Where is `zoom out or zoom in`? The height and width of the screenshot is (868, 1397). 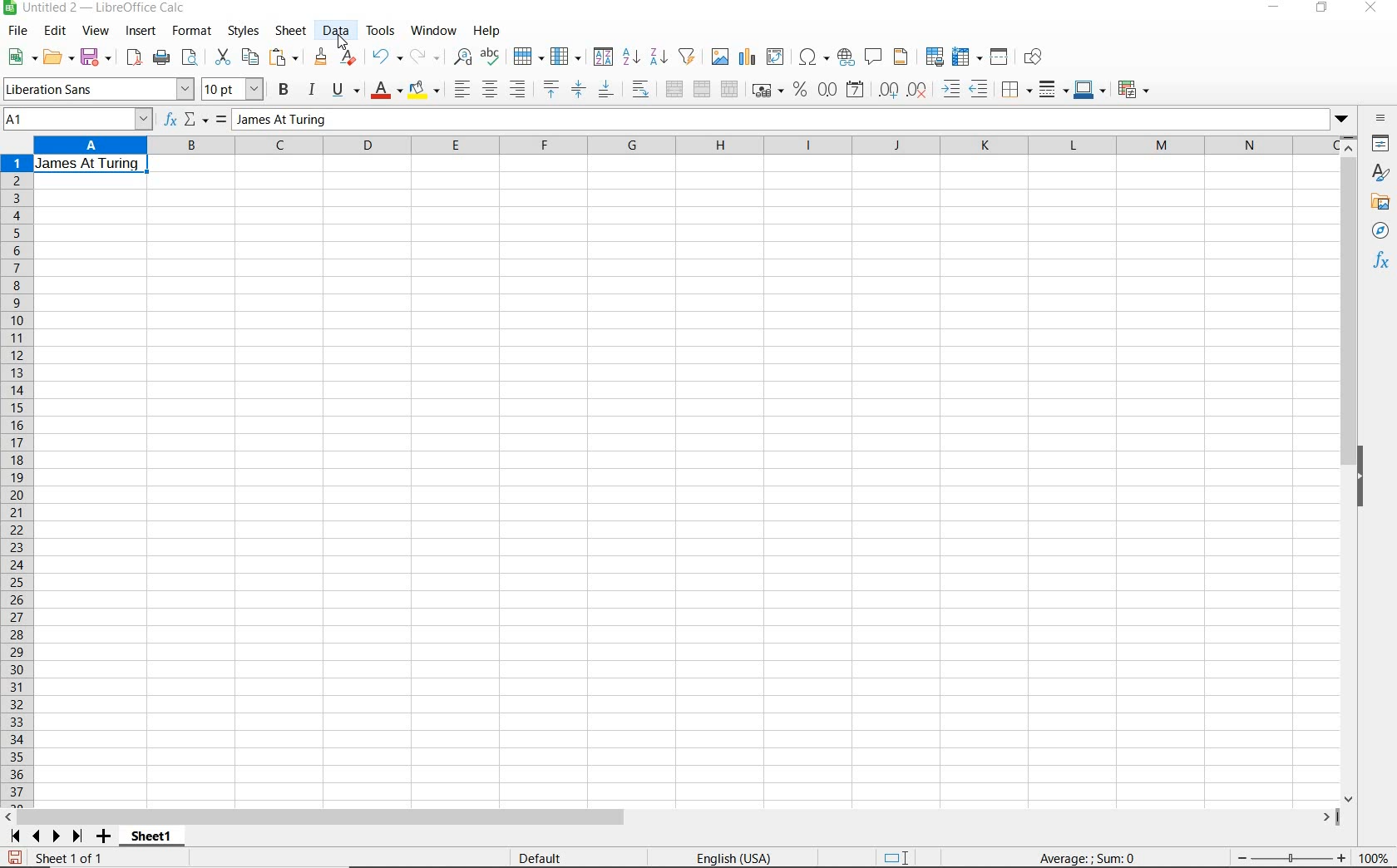 zoom out or zoom in is located at coordinates (1292, 859).